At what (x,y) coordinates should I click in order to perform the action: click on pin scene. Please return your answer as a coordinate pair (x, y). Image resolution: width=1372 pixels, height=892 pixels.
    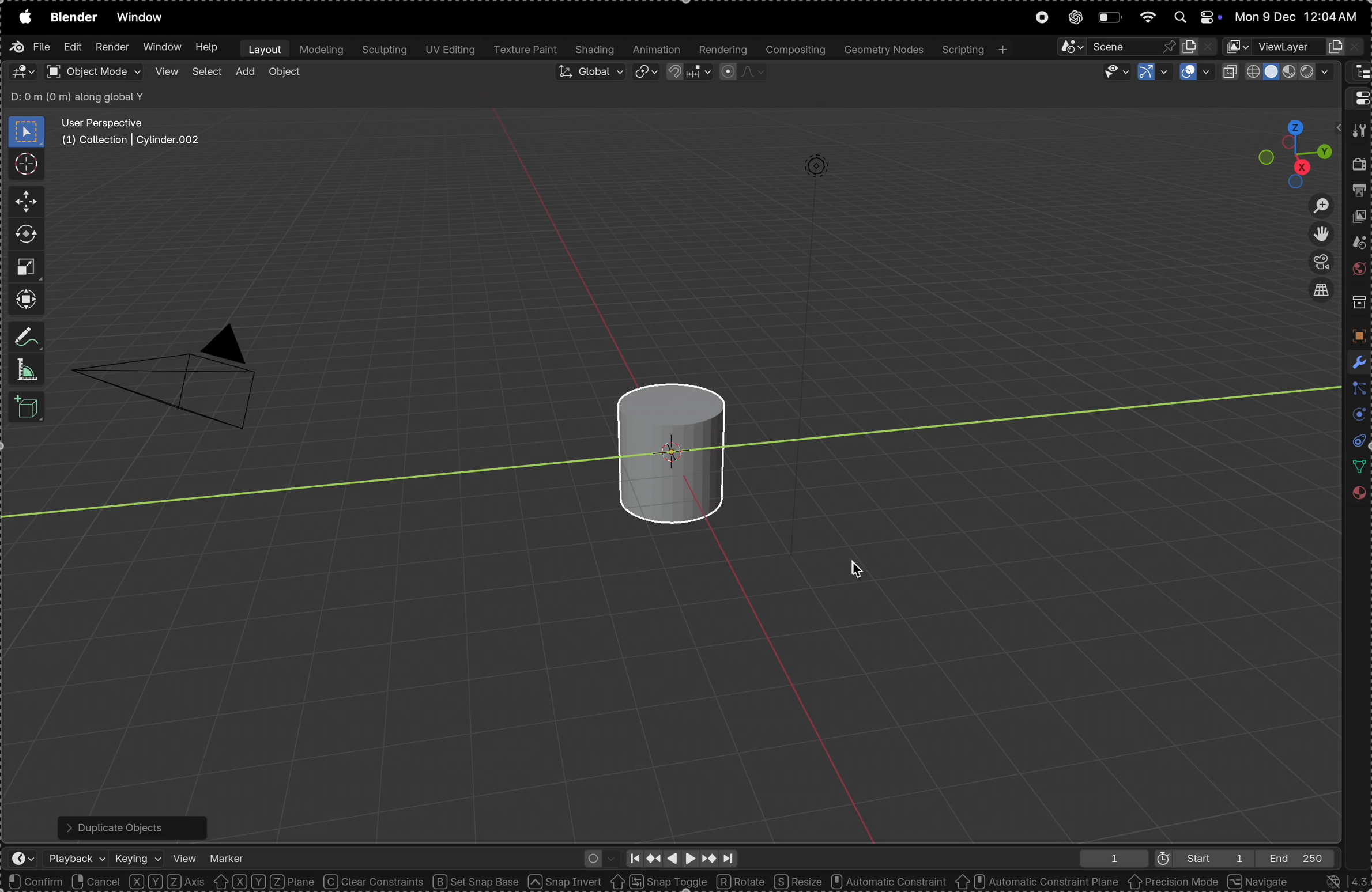
    Looking at the image, I should click on (1113, 46).